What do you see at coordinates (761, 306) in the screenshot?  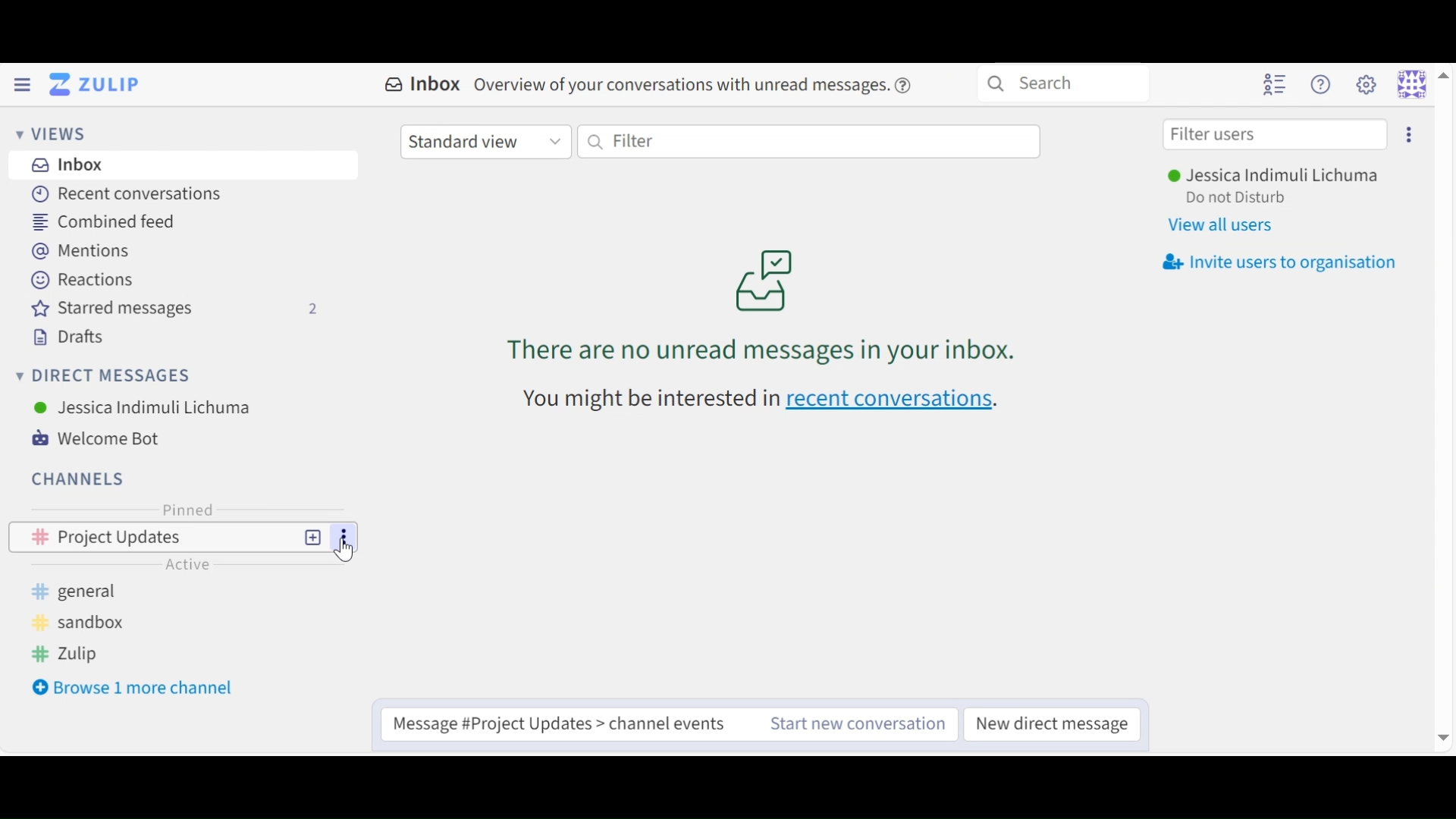 I see `unread conversations` at bounding box center [761, 306].